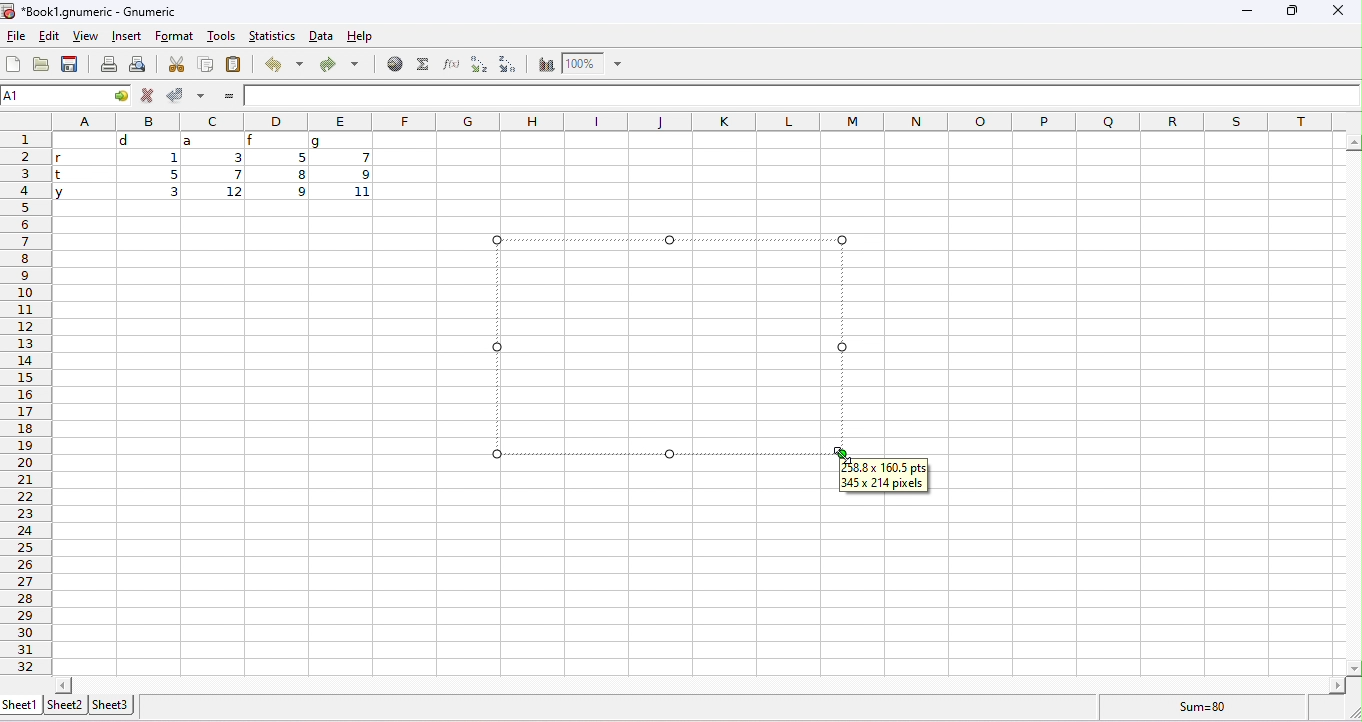 The image size is (1362, 722). I want to click on tools, so click(221, 35).